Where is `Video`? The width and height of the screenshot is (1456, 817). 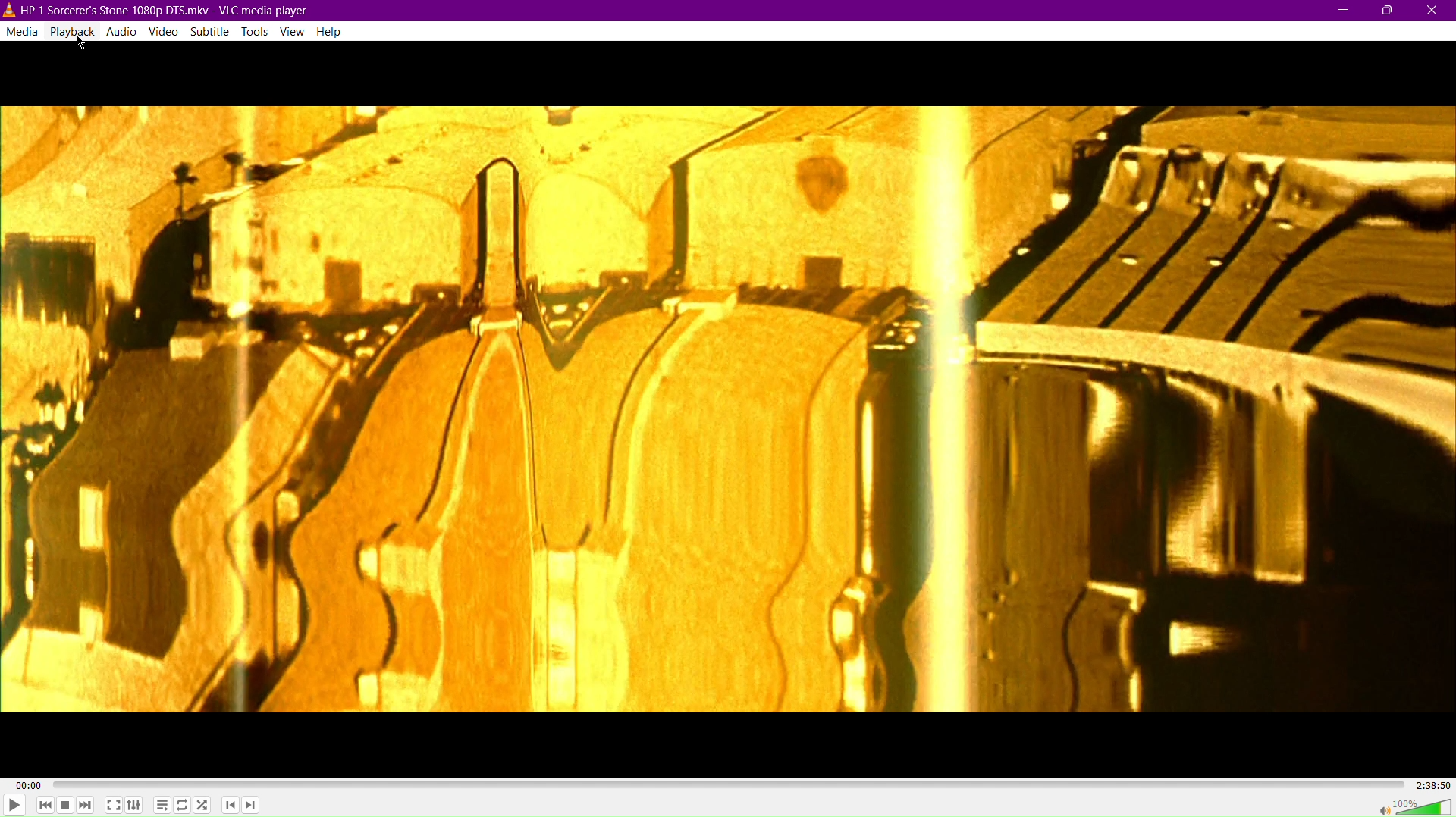 Video is located at coordinates (163, 30).